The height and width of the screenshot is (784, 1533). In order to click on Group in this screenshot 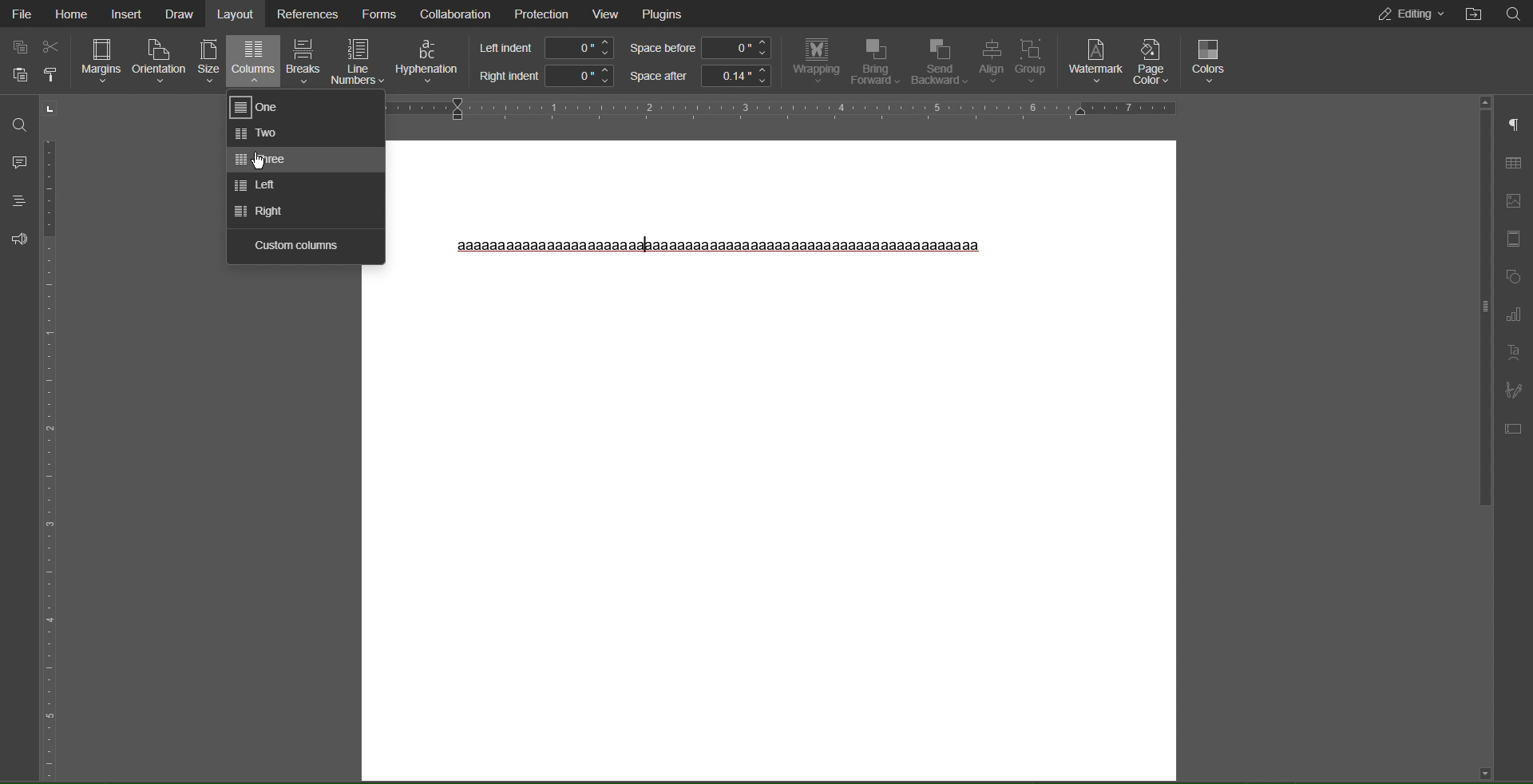, I will do `click(1036, 61)`.